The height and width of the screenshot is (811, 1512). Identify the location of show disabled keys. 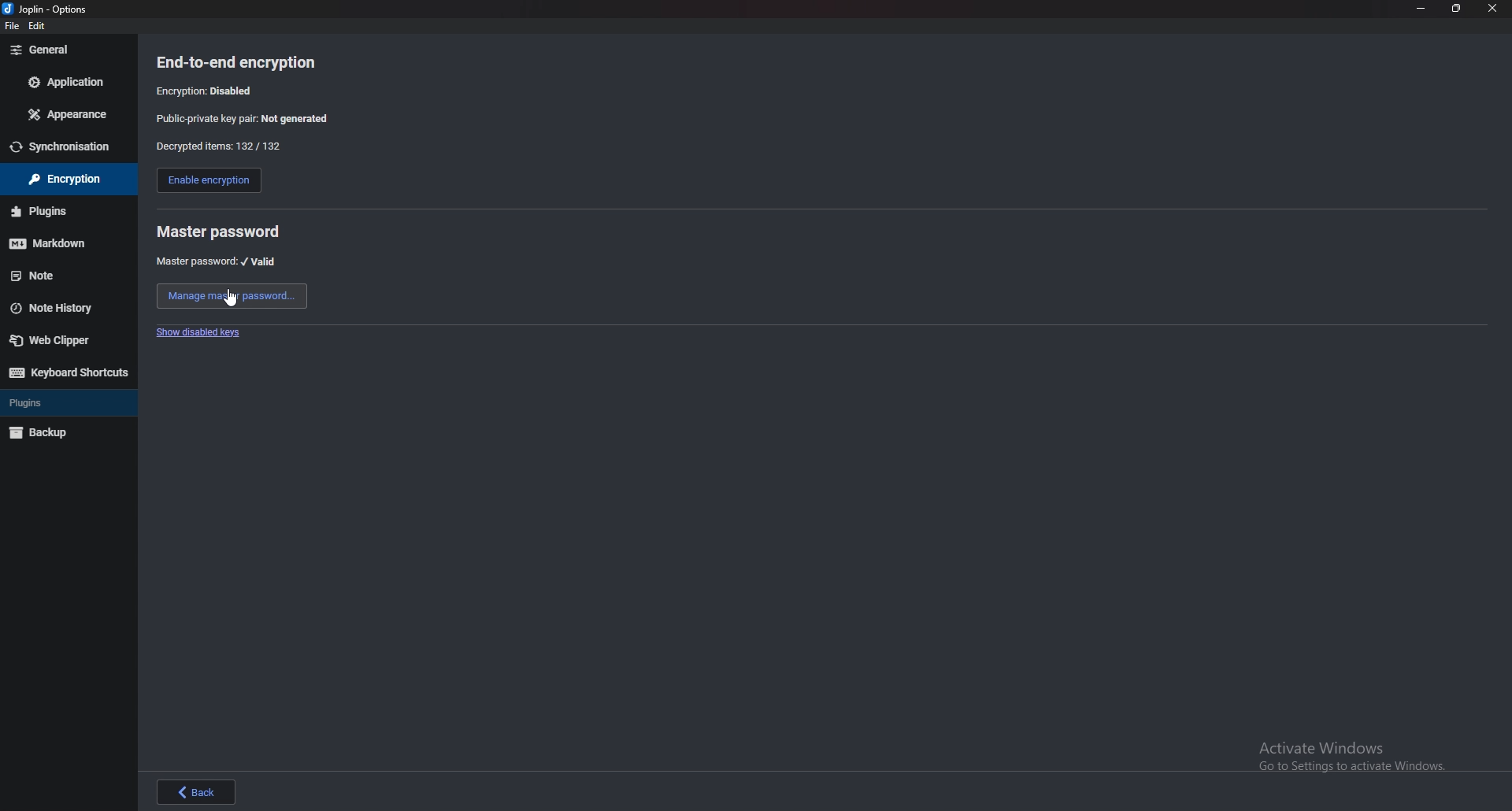
(202, 333).